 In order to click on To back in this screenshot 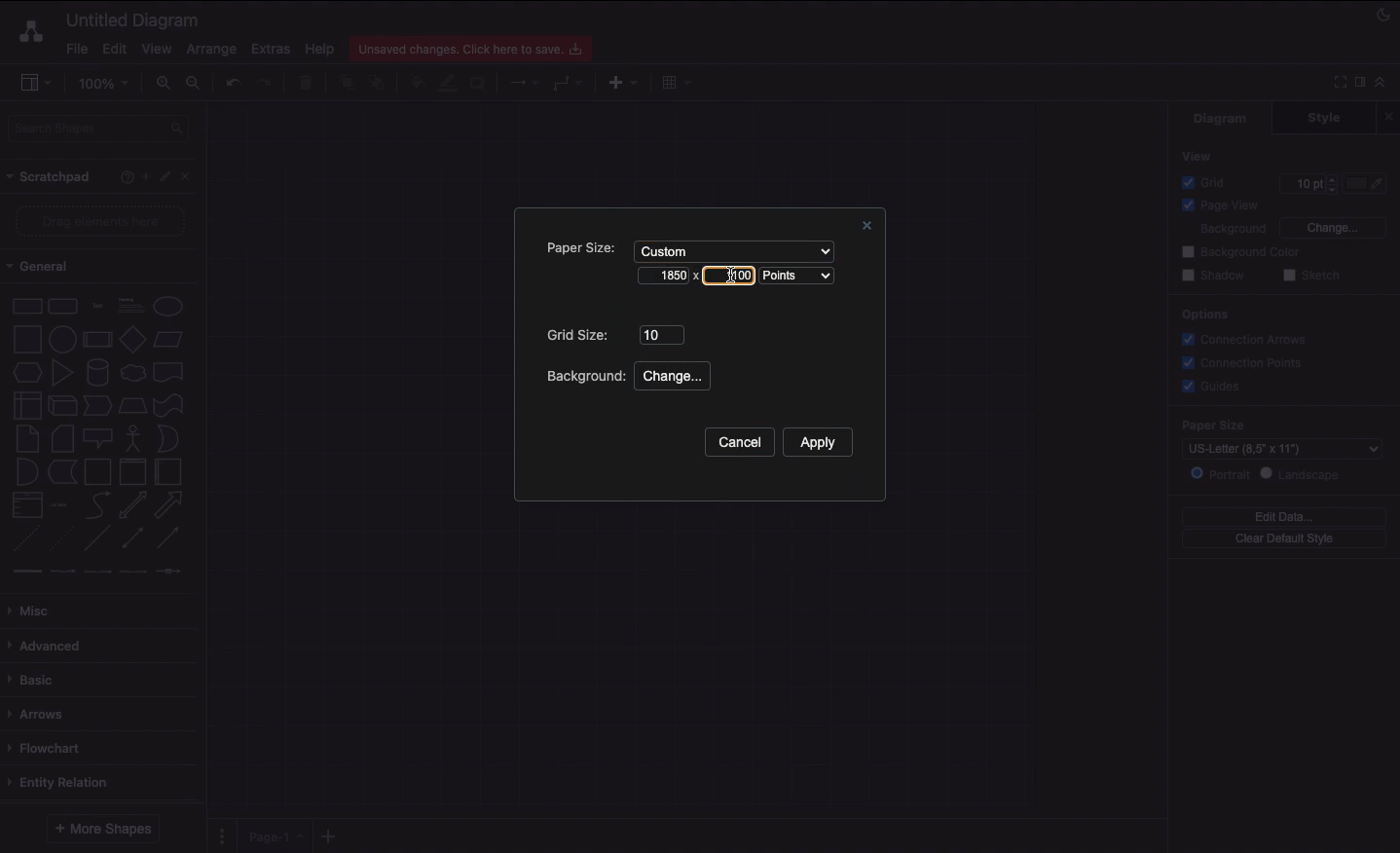, I will do `click(380, 82)`.